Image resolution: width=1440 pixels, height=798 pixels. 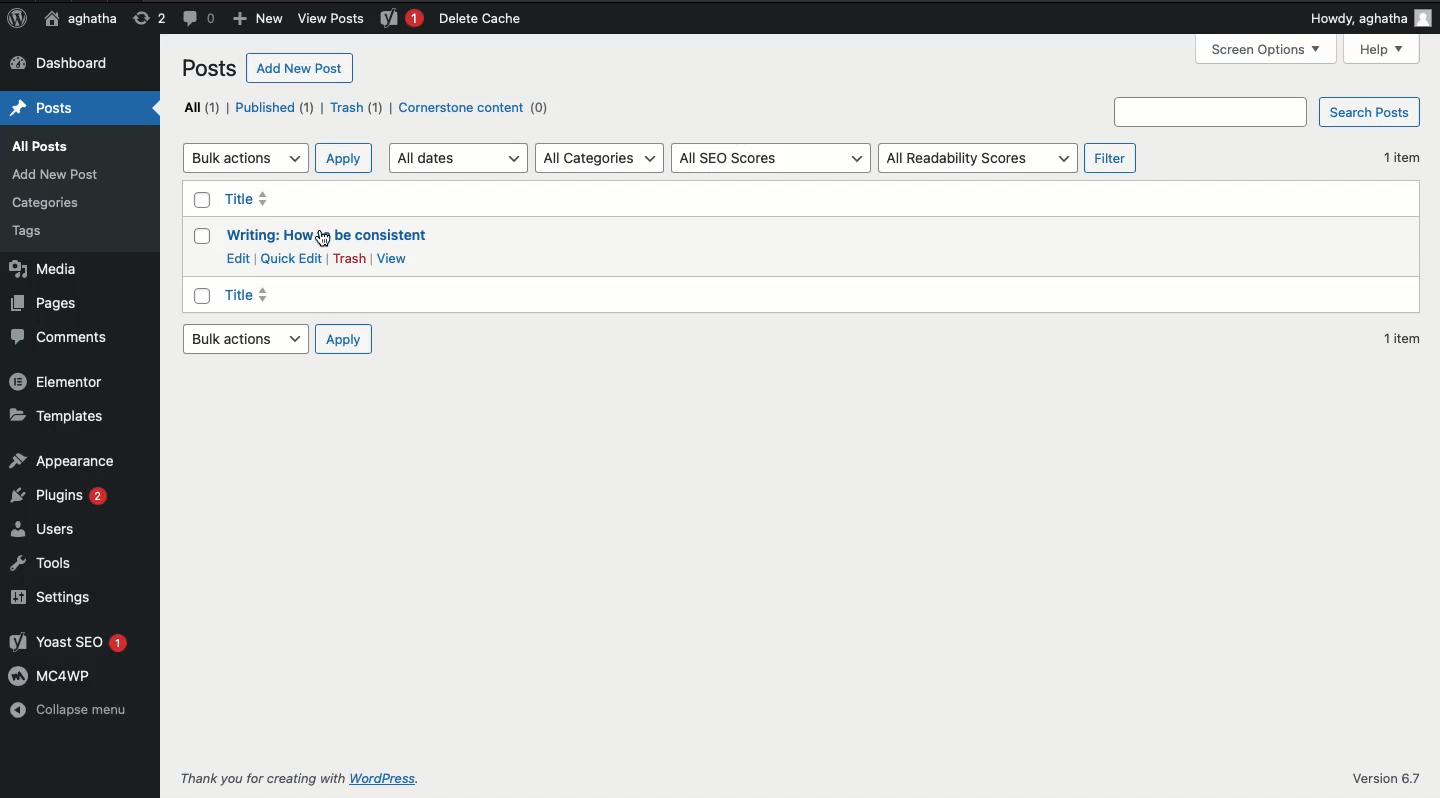 I want to click on Search posts, so click(x=1268, y=111).